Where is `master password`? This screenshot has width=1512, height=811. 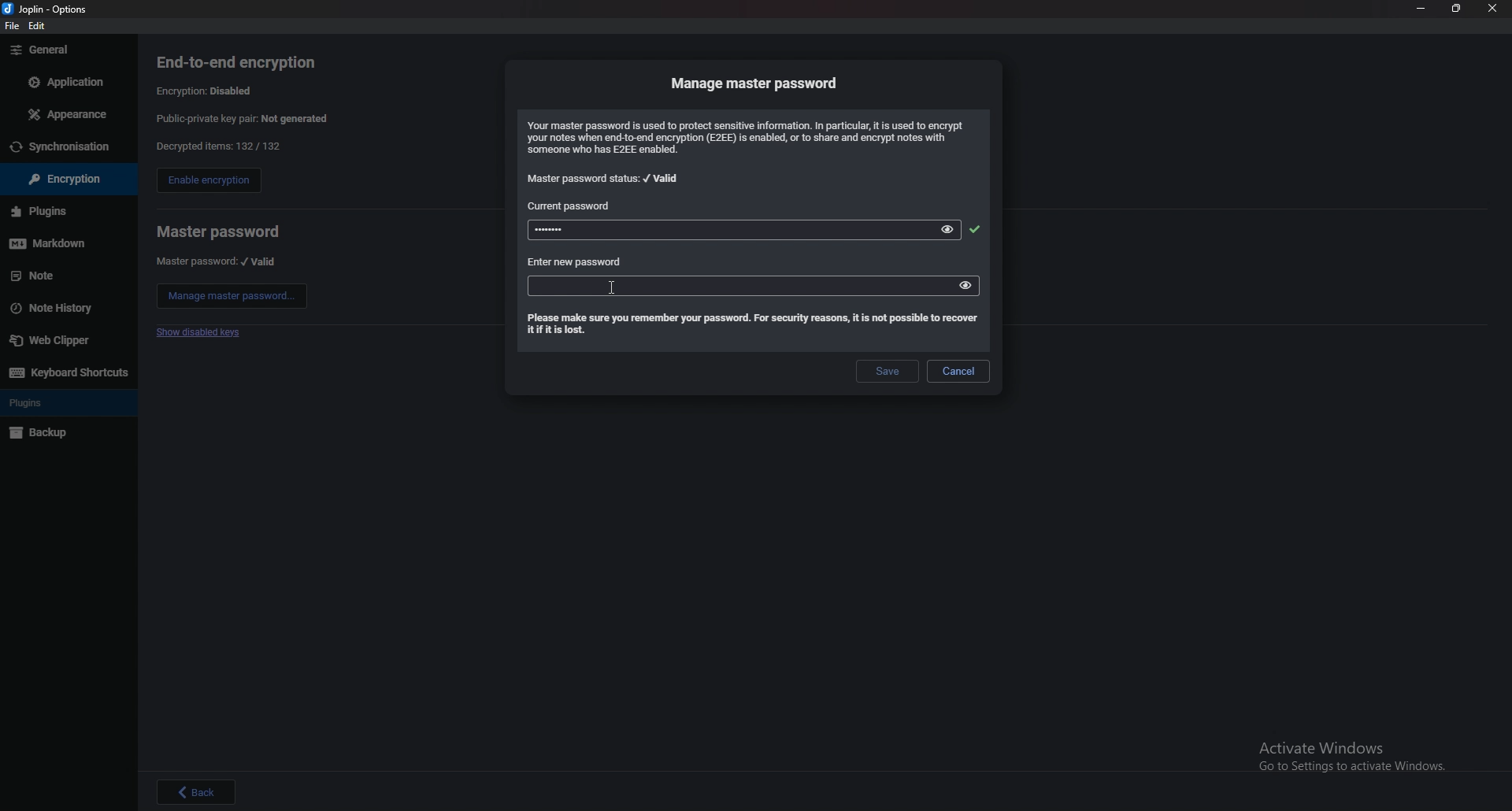
master password is located at coordinates (218, 231).